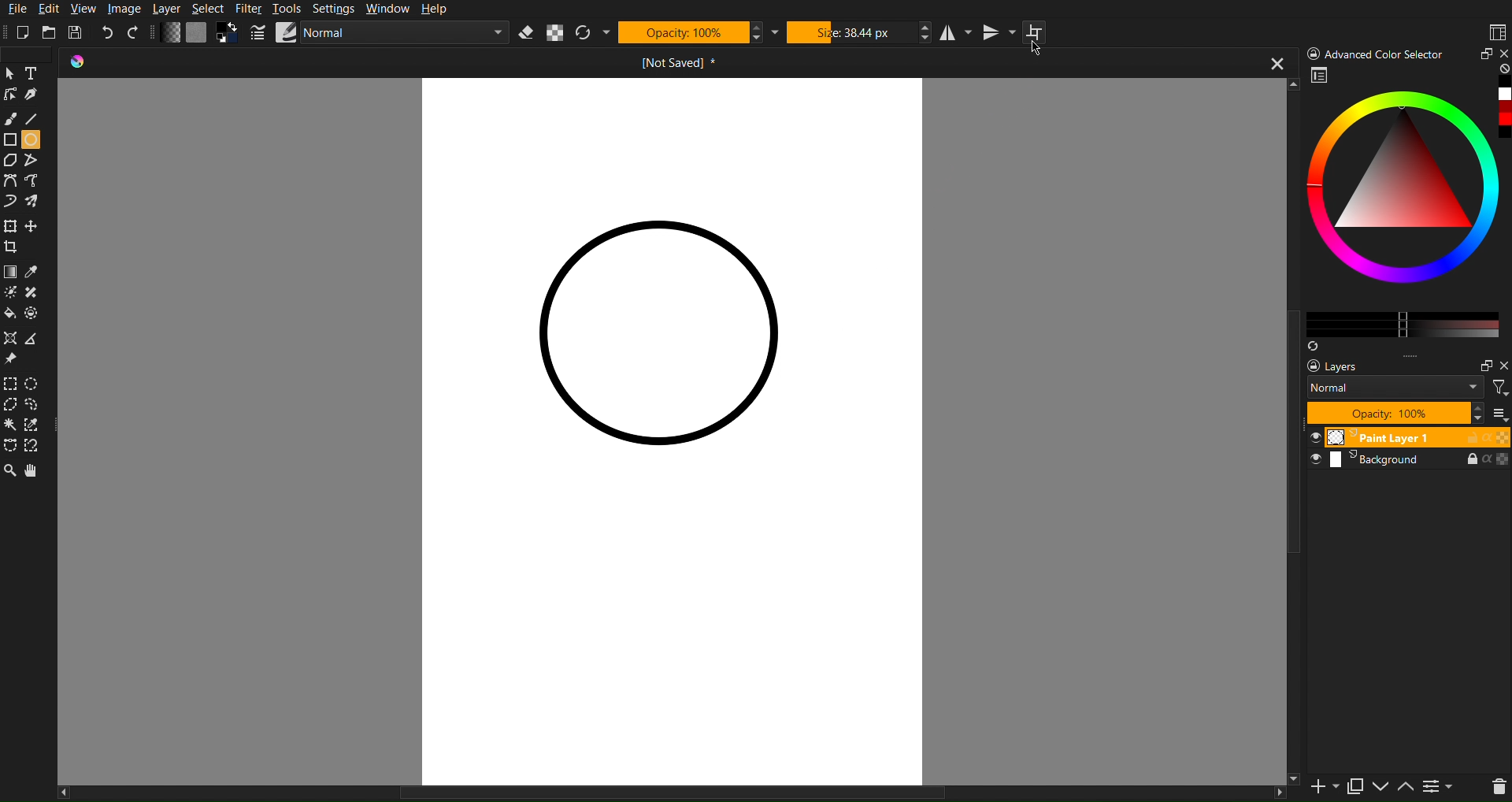  Describe the element at coordinates (11, 446) in the screenshot. I see `Free shape` at that location.